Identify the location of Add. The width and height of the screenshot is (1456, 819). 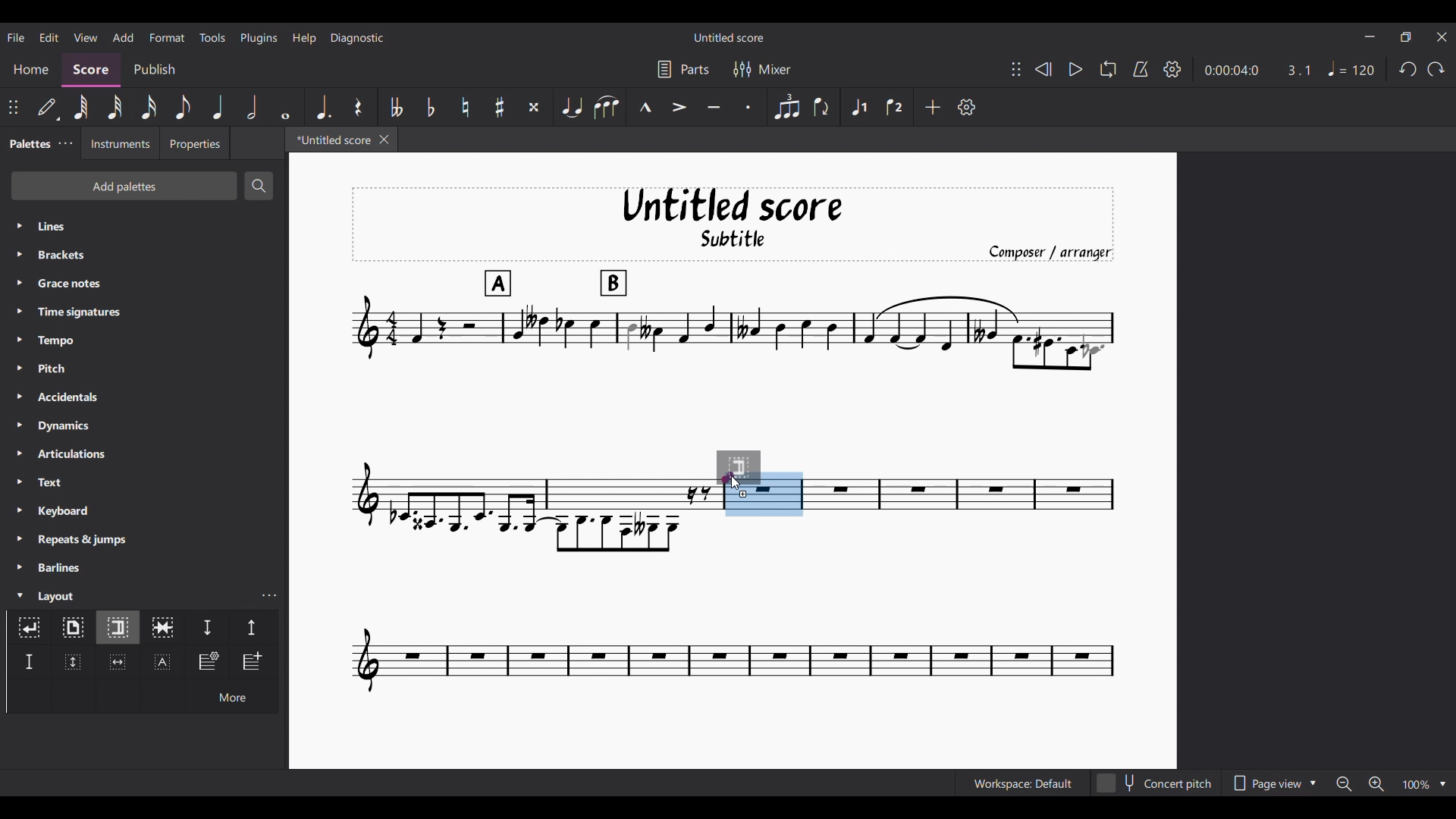
(932, 107).